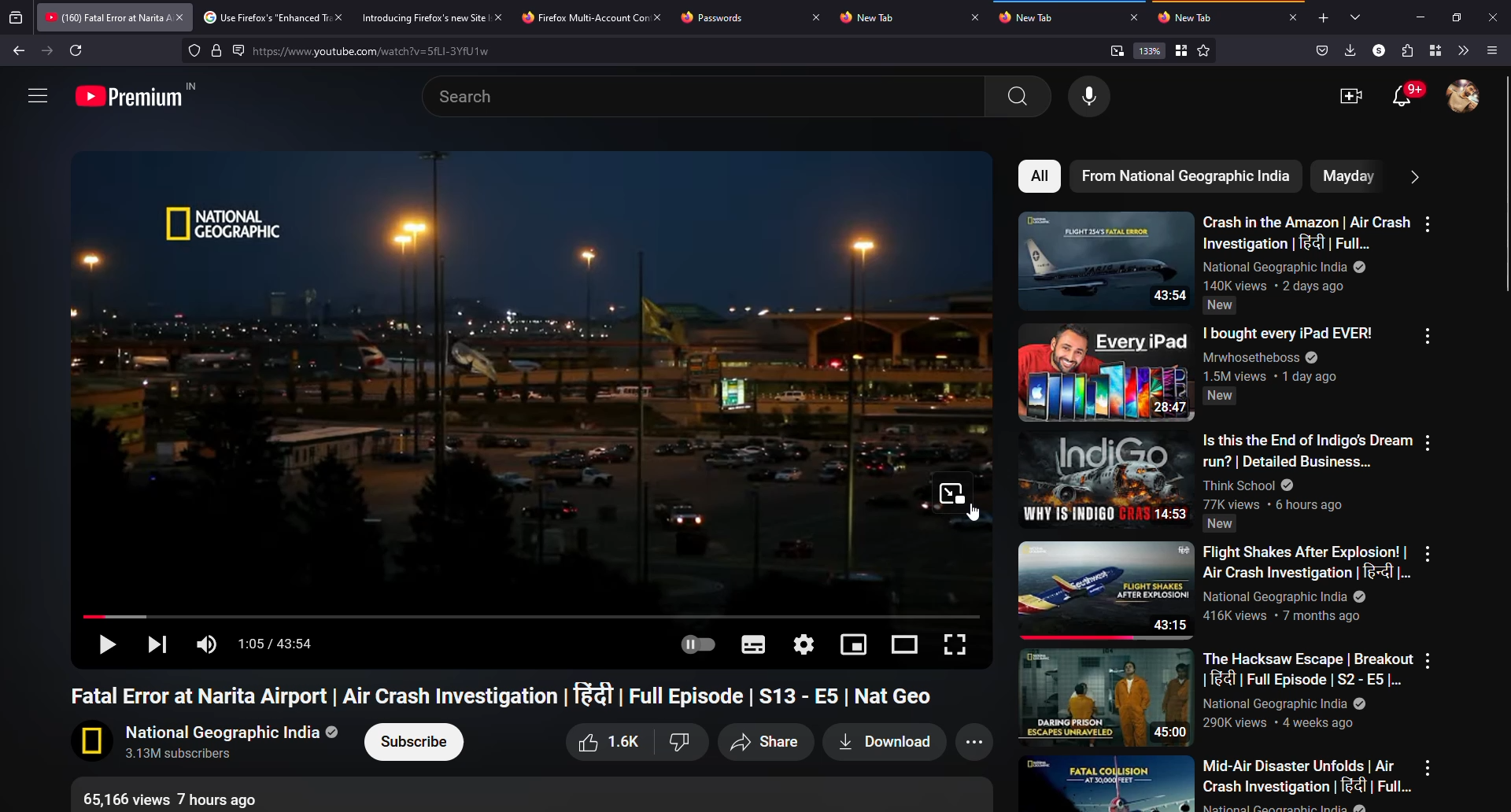 The width and height of the screenshot is (1511, 812). I want to click on Video info, so click(179, 798).